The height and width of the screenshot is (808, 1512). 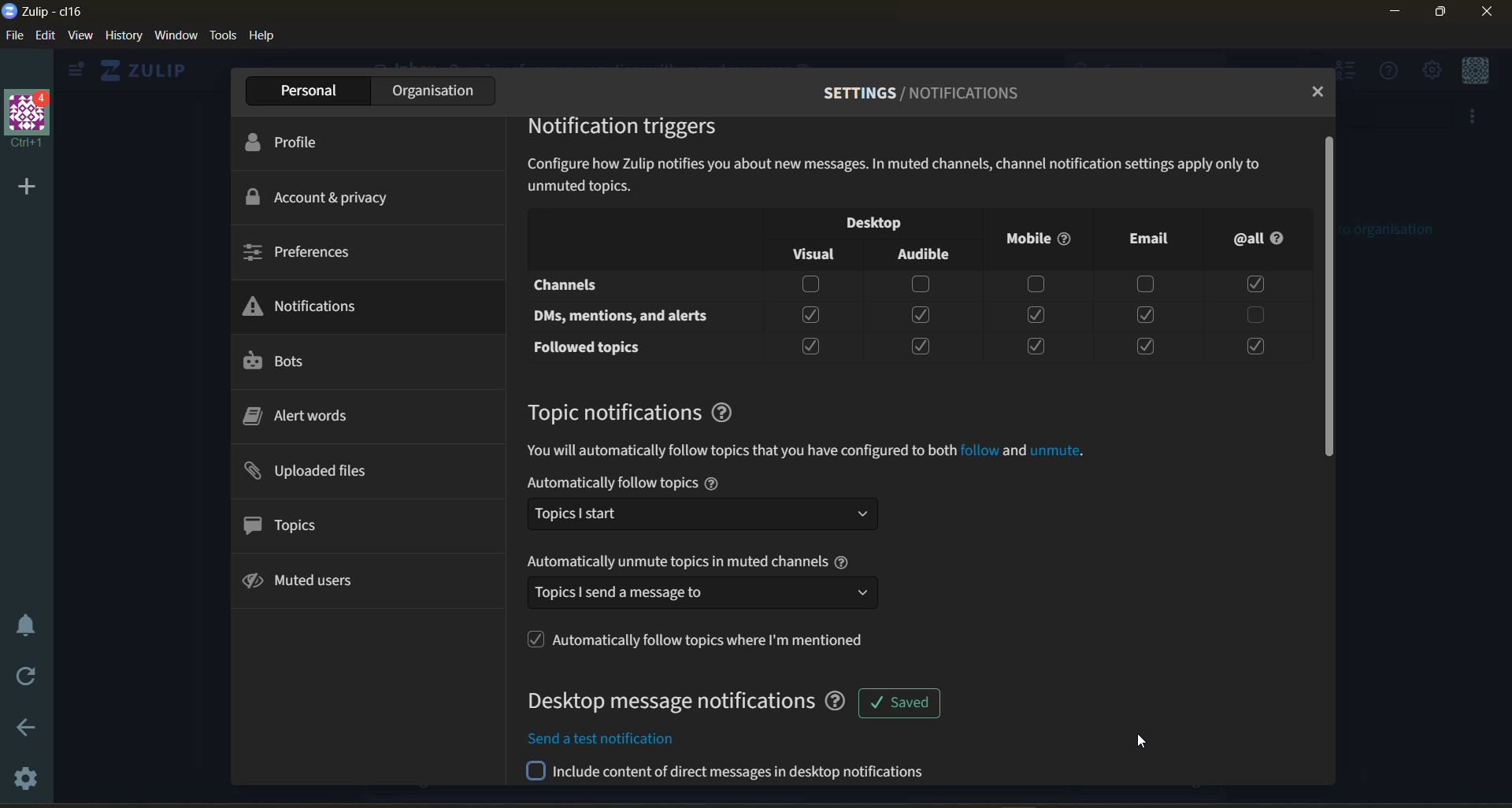 I want to click on Checkbox, so click(x=810, y=346).